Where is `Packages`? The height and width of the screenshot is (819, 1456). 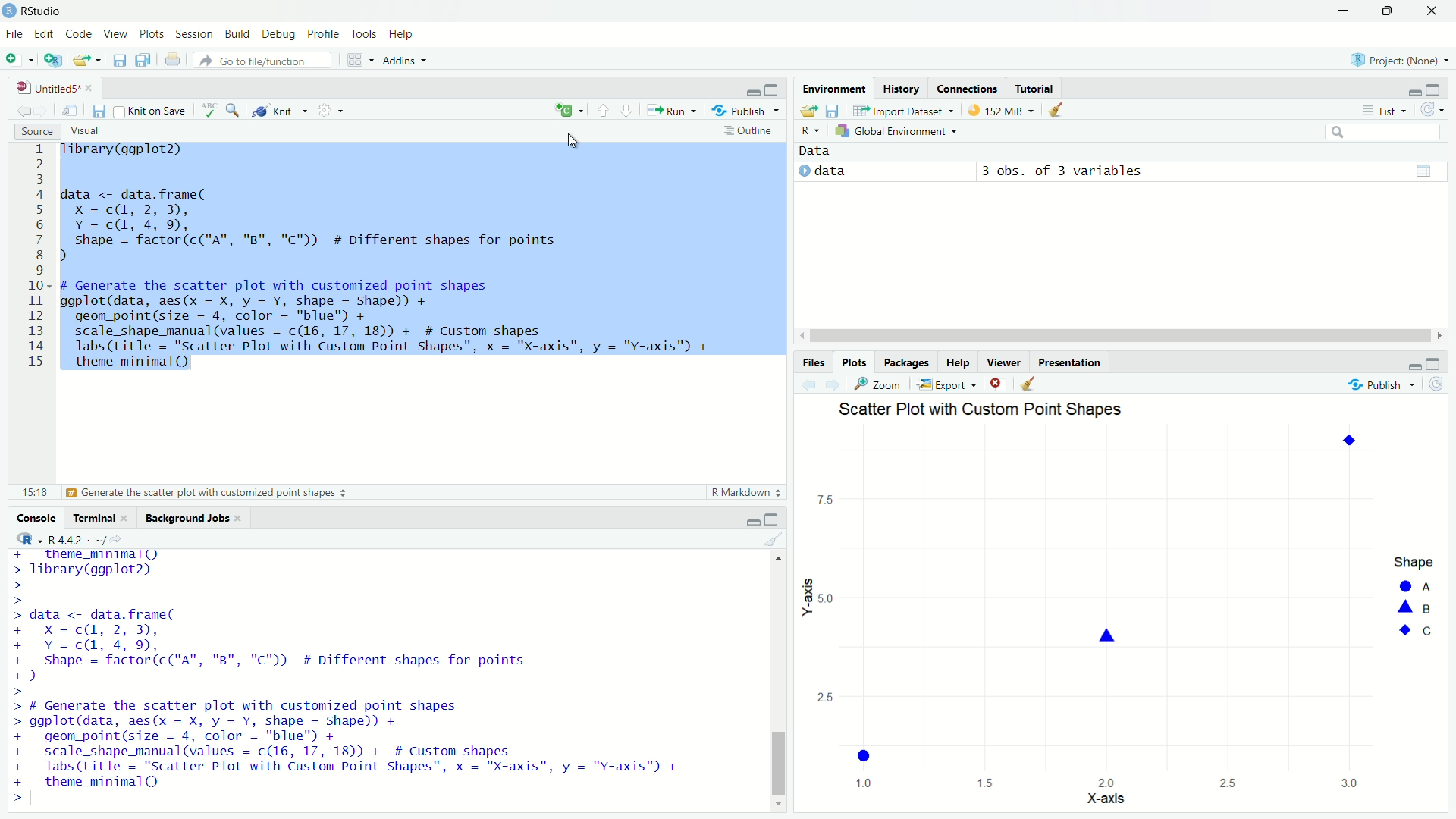 Packages is located at coordinates (906, 362).